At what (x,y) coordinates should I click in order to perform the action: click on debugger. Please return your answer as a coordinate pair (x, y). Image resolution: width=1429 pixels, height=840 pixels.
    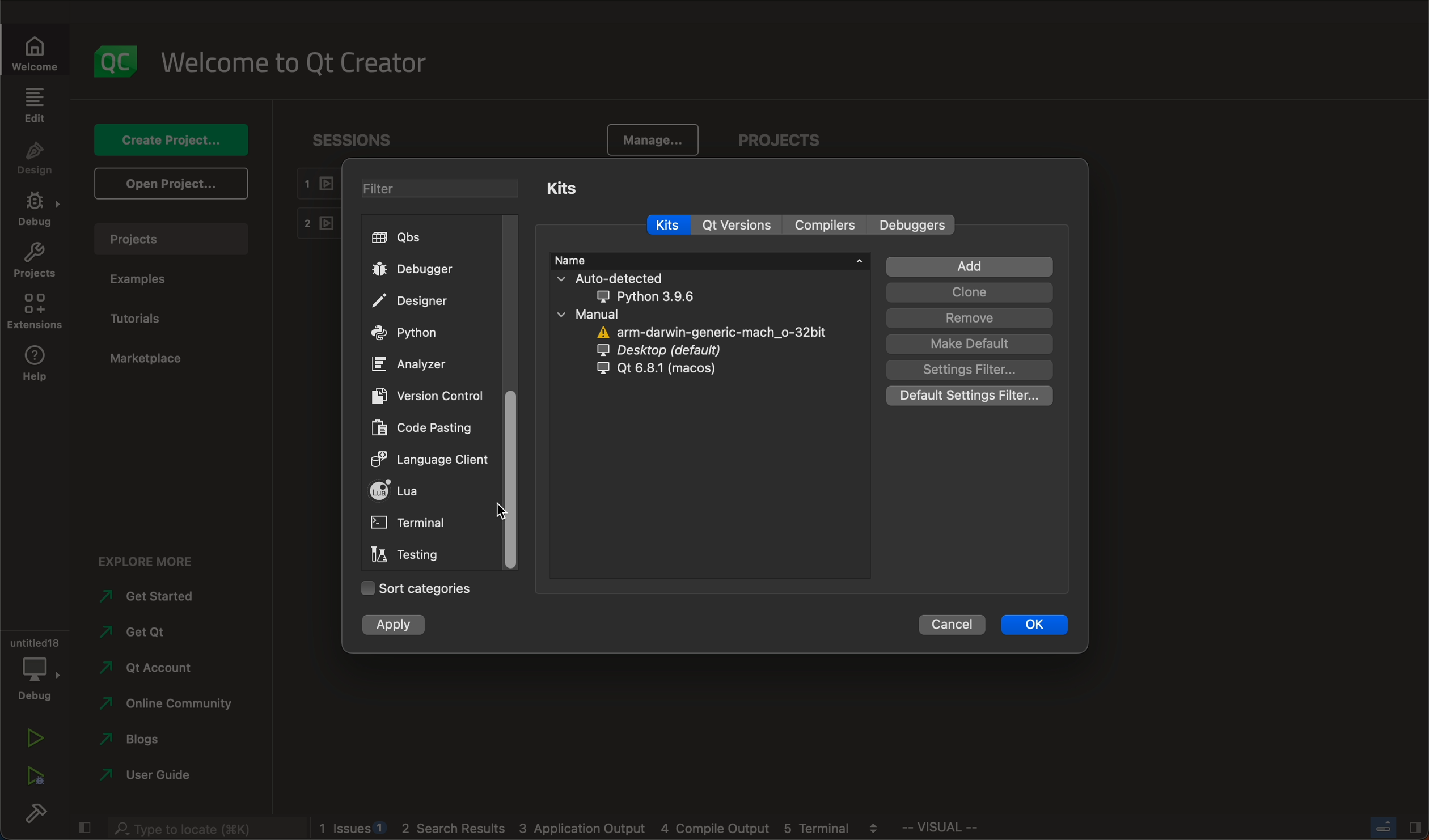
    Looking at the image, I should click on (424, 269).